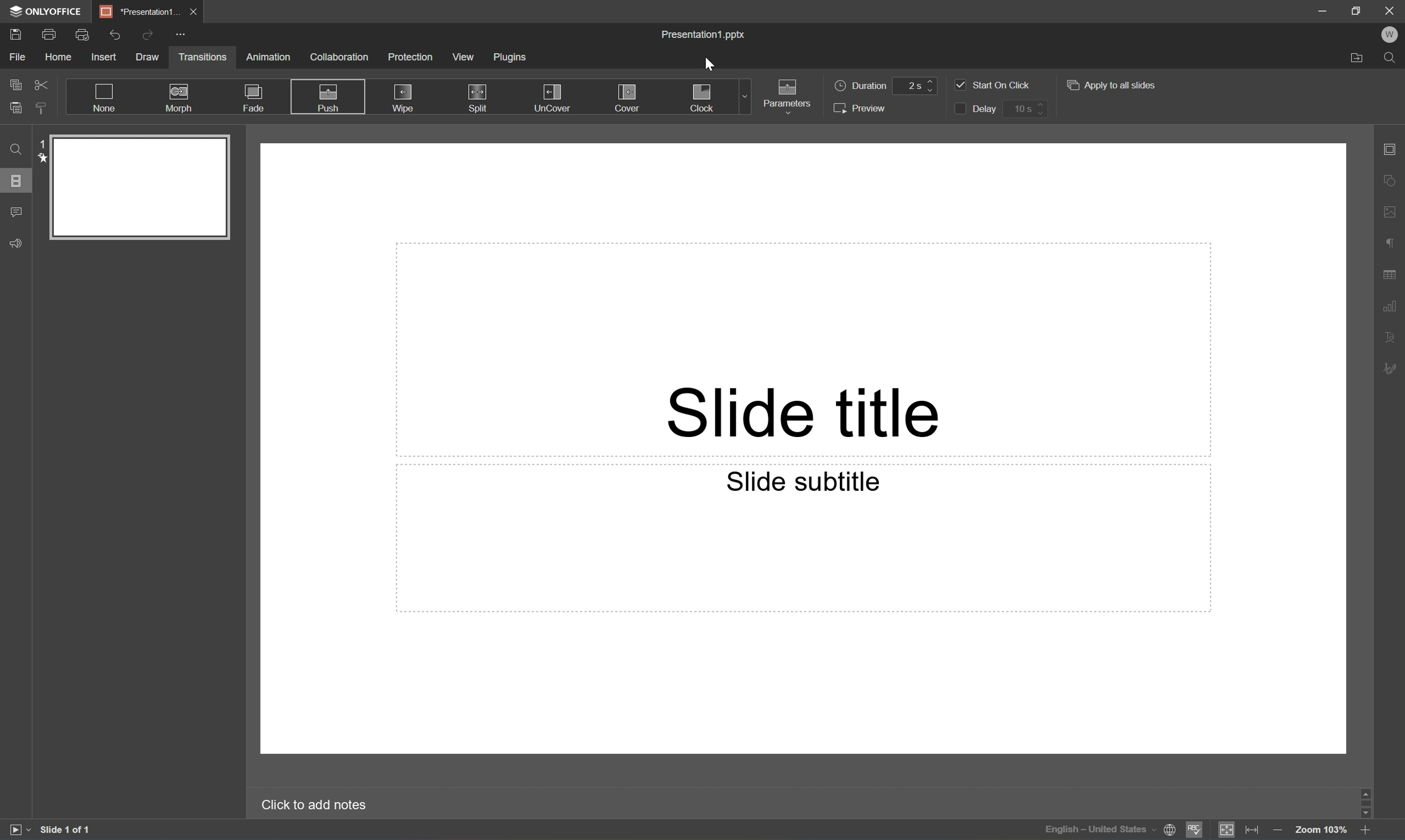 The image size is (1405, 840). What do you see at coordinates (151, 59) in the screenshot?
I see `Draw` at bounding box center [151, 59].